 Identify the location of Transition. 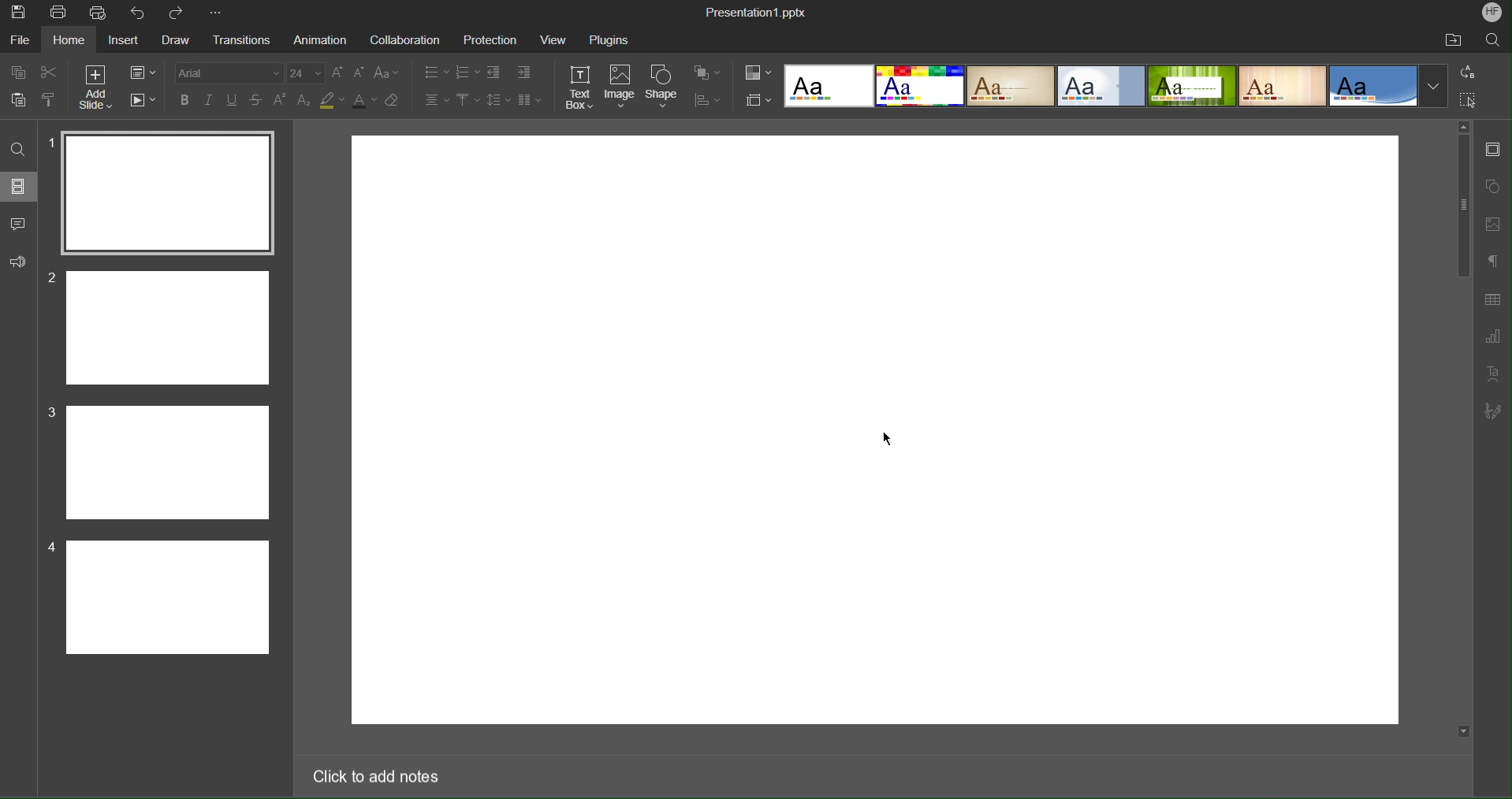
(237, 41).